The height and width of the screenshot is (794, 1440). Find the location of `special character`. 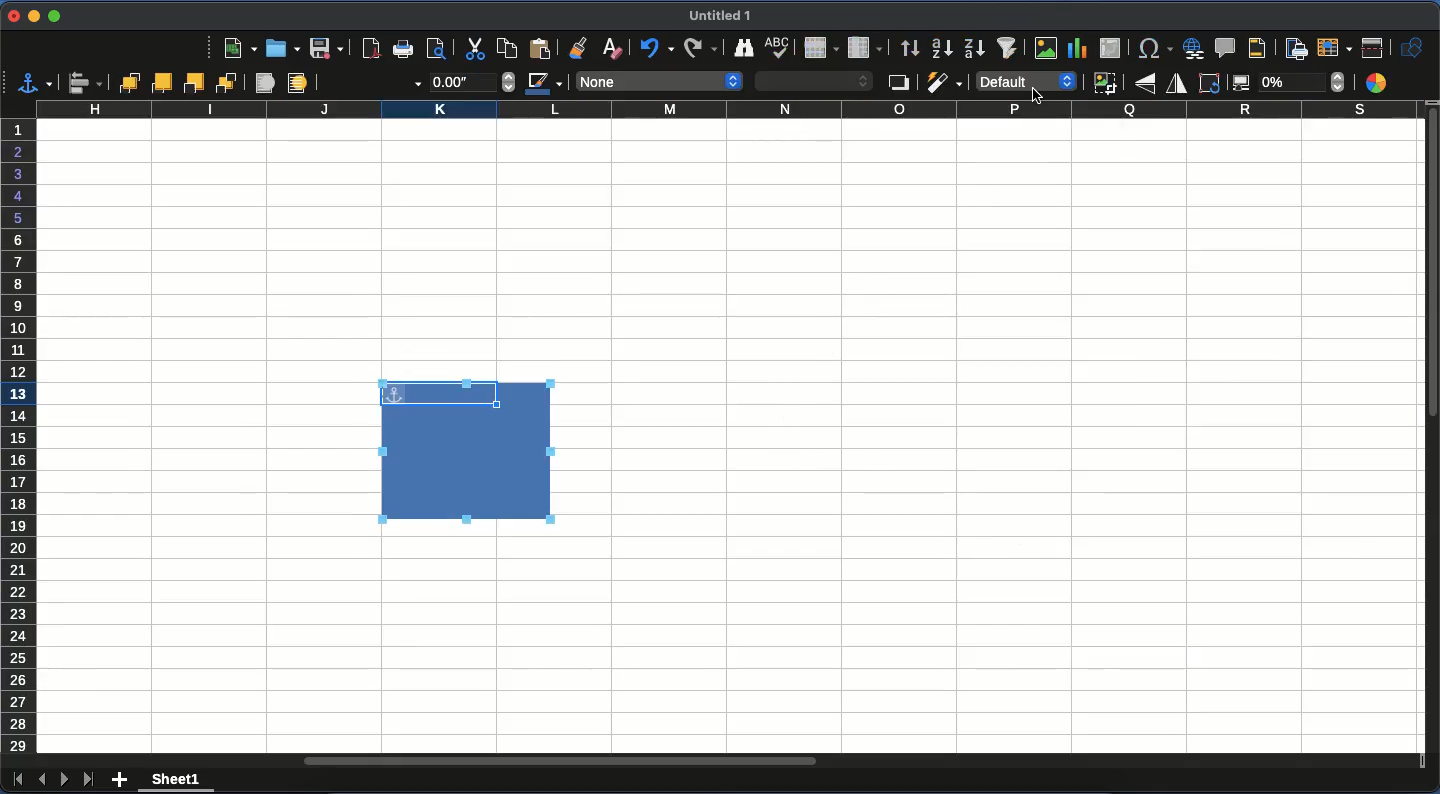

special character is located at coordinates (1151, 48).